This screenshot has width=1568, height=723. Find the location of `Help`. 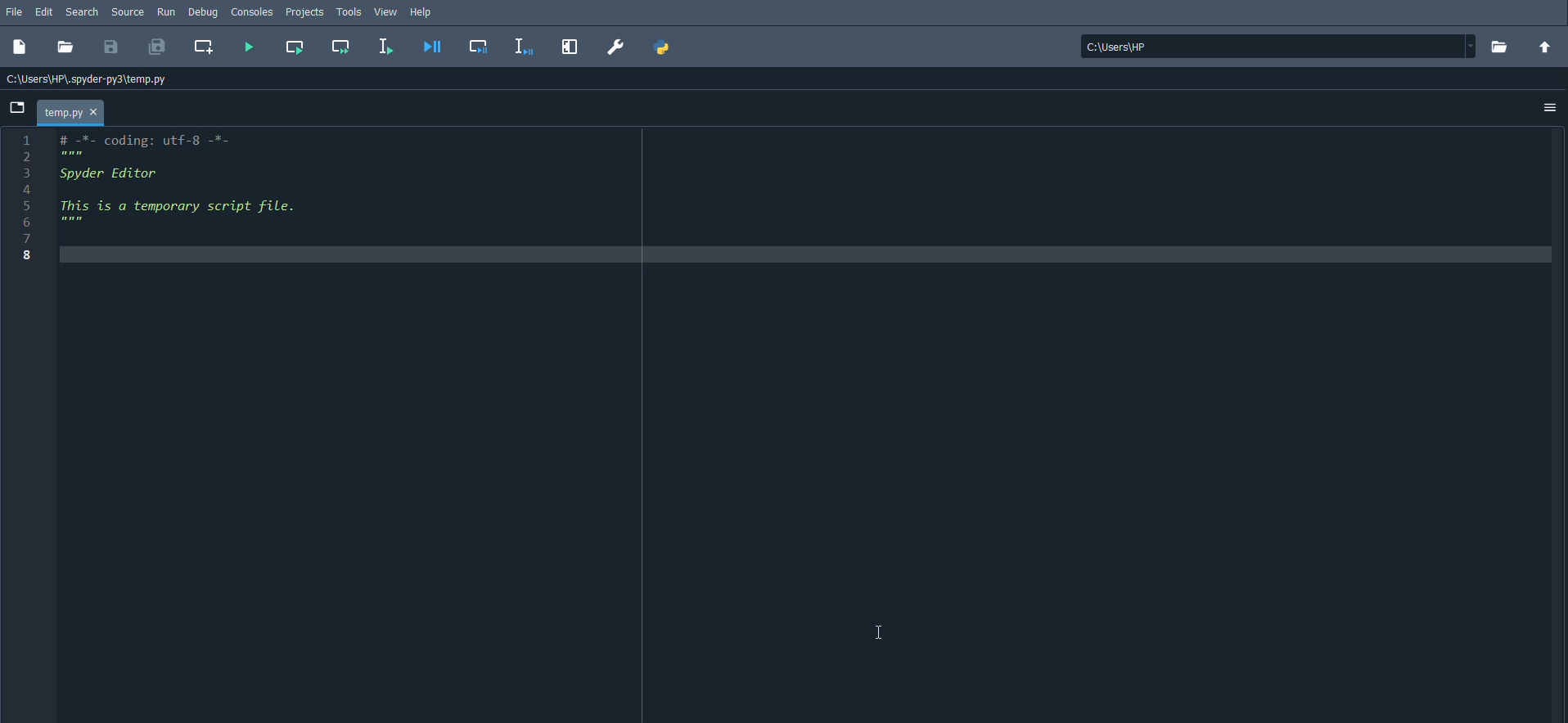

Help is located at coordinates (423, 13).